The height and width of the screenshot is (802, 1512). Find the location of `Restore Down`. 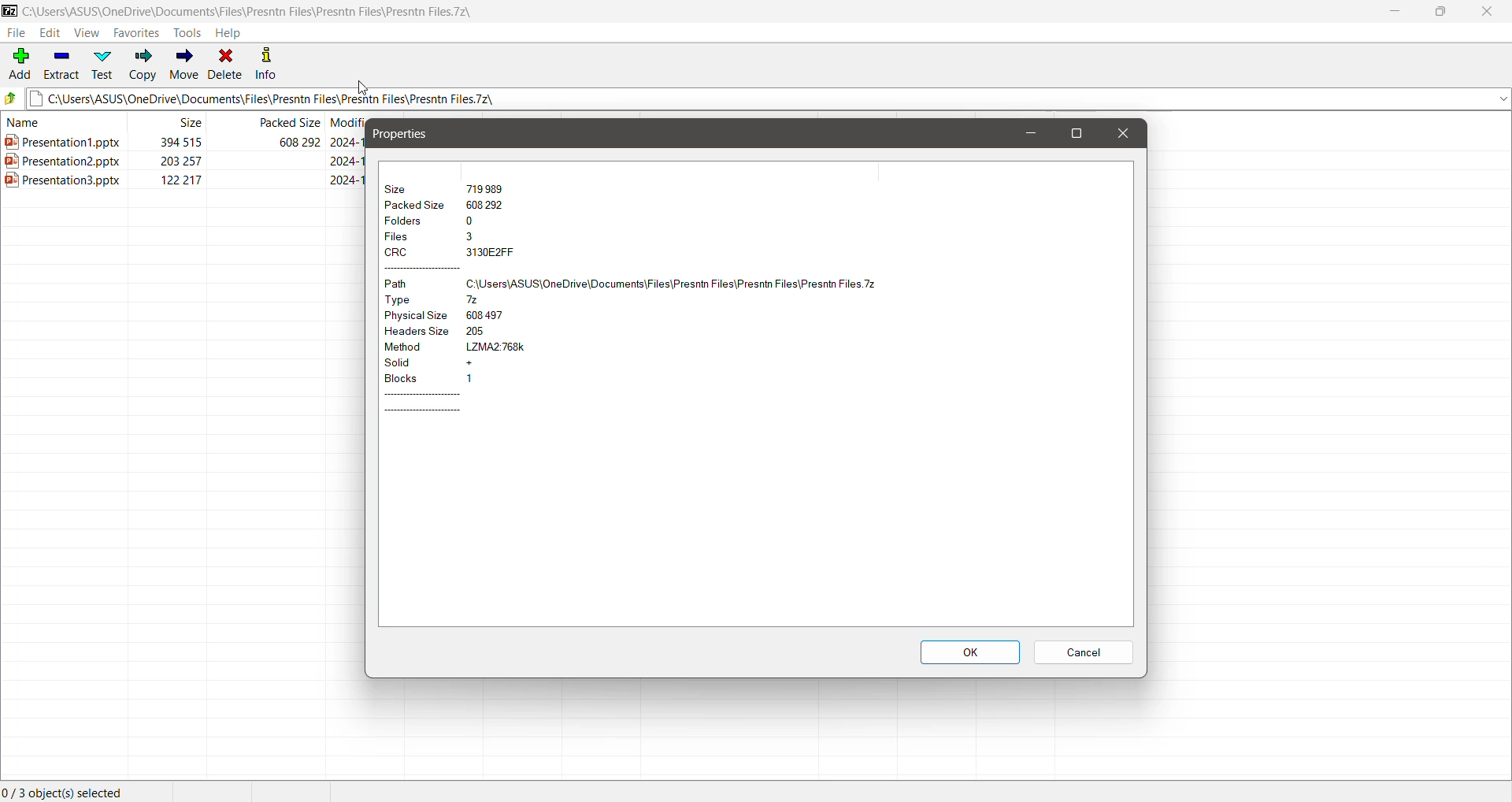

Restore Down is located at coordinates (1443, 12).